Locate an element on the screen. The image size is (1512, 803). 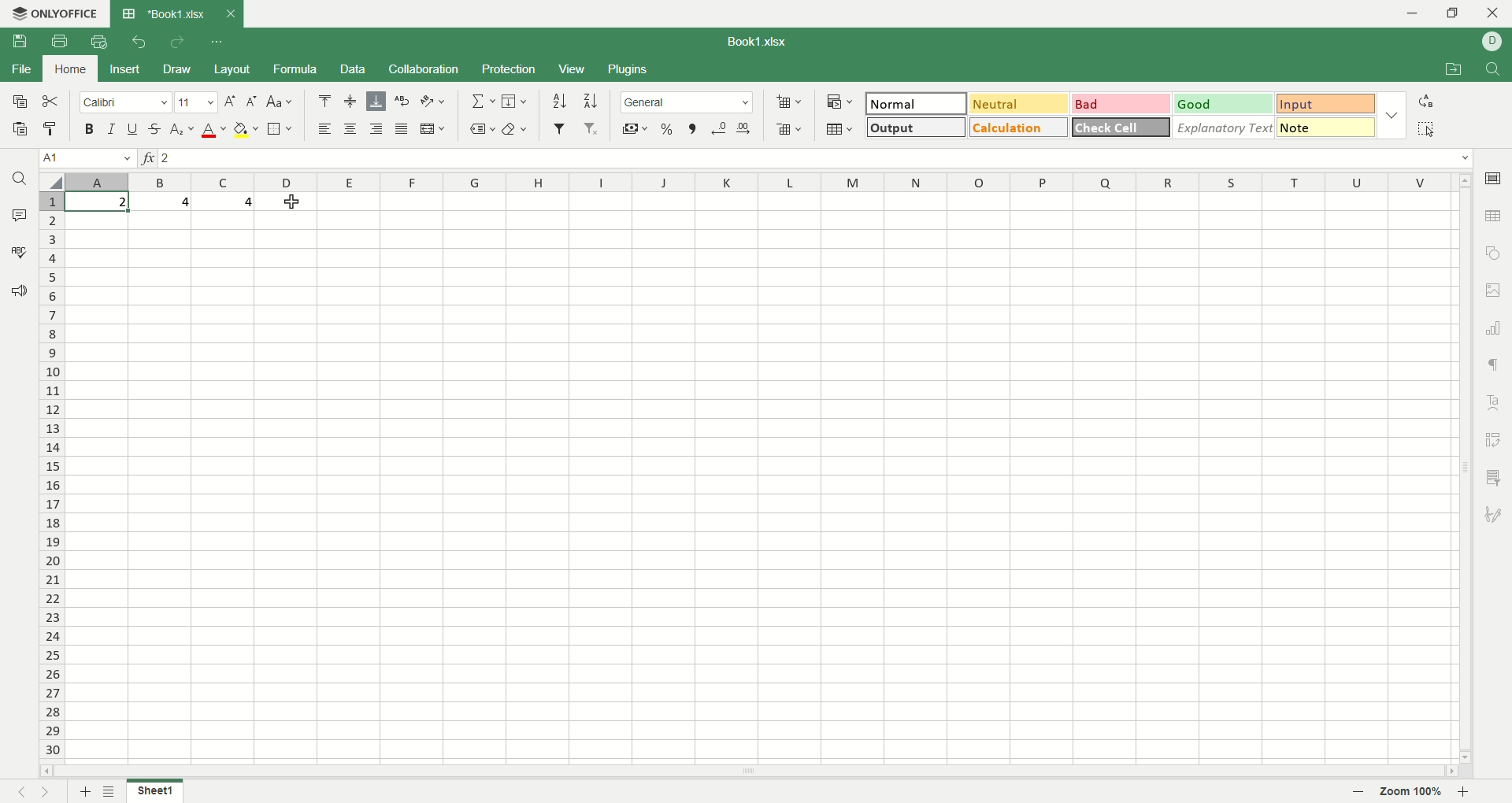
cut is located at coordinates (53, 100).